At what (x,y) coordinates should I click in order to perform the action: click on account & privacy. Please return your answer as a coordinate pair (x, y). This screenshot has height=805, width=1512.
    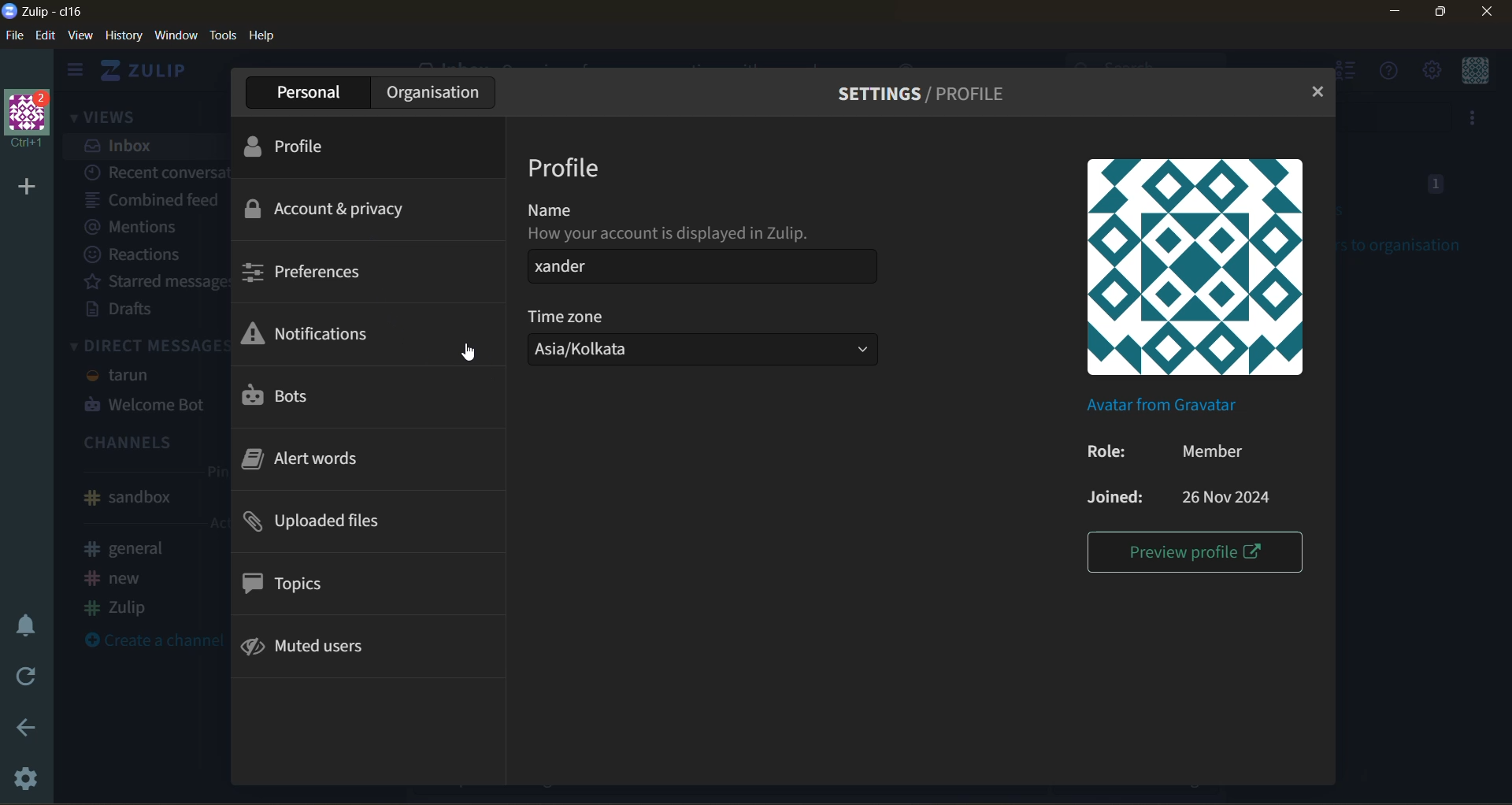
    Looking at the image, I should click on (333, 212).